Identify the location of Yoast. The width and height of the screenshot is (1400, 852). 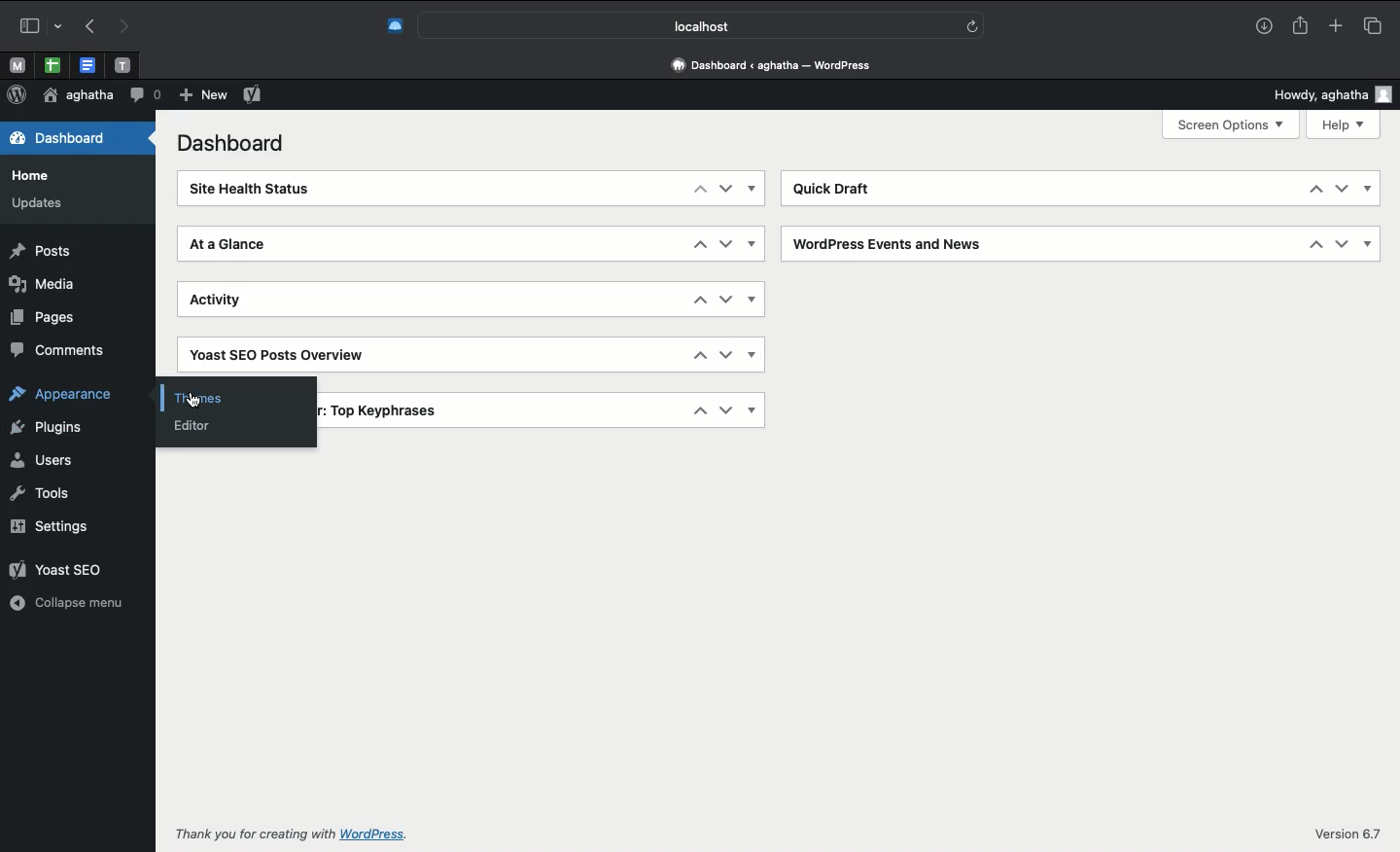
(283, 350).